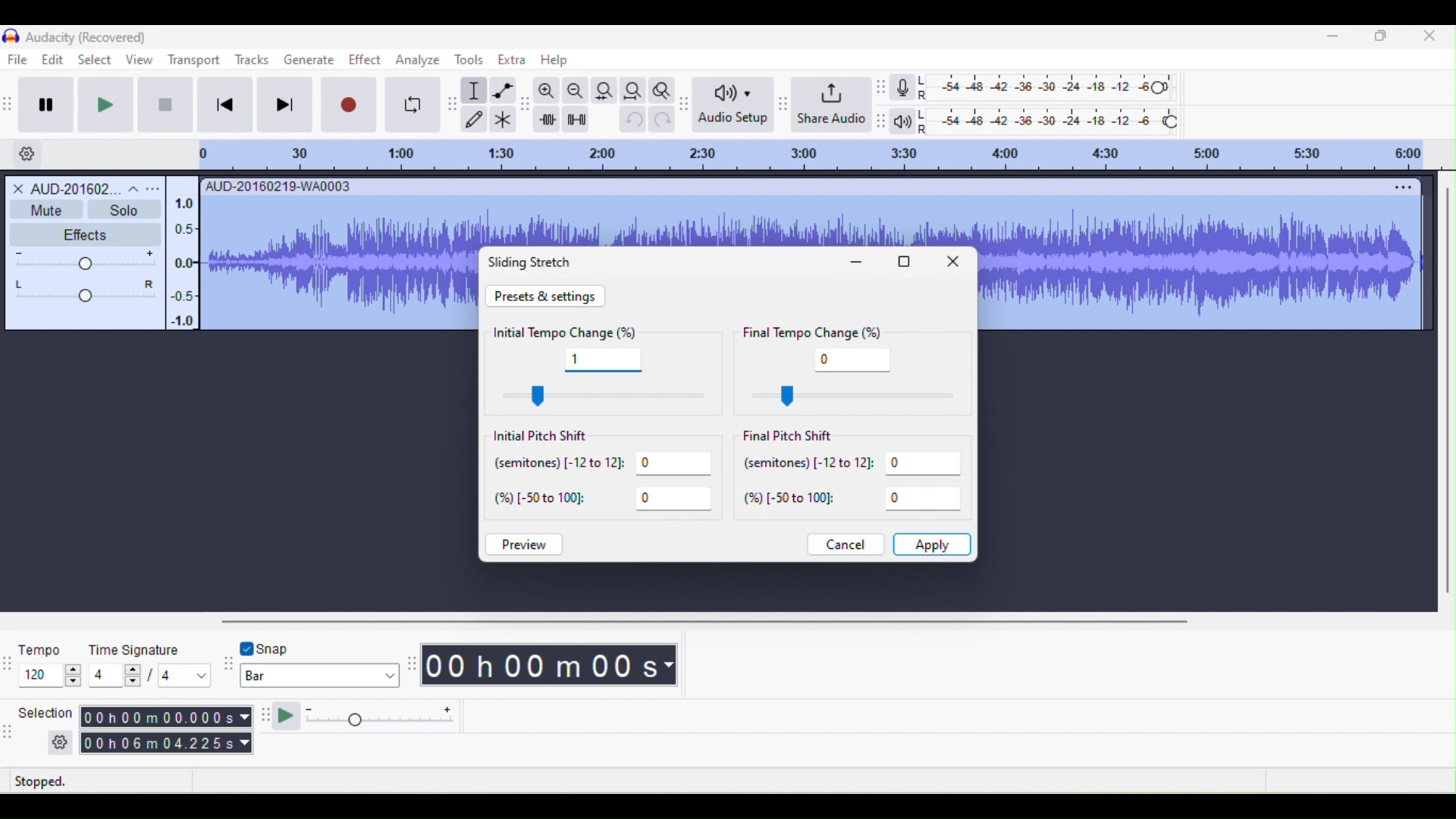  I want to click on fit project to width, so click(634, 87).